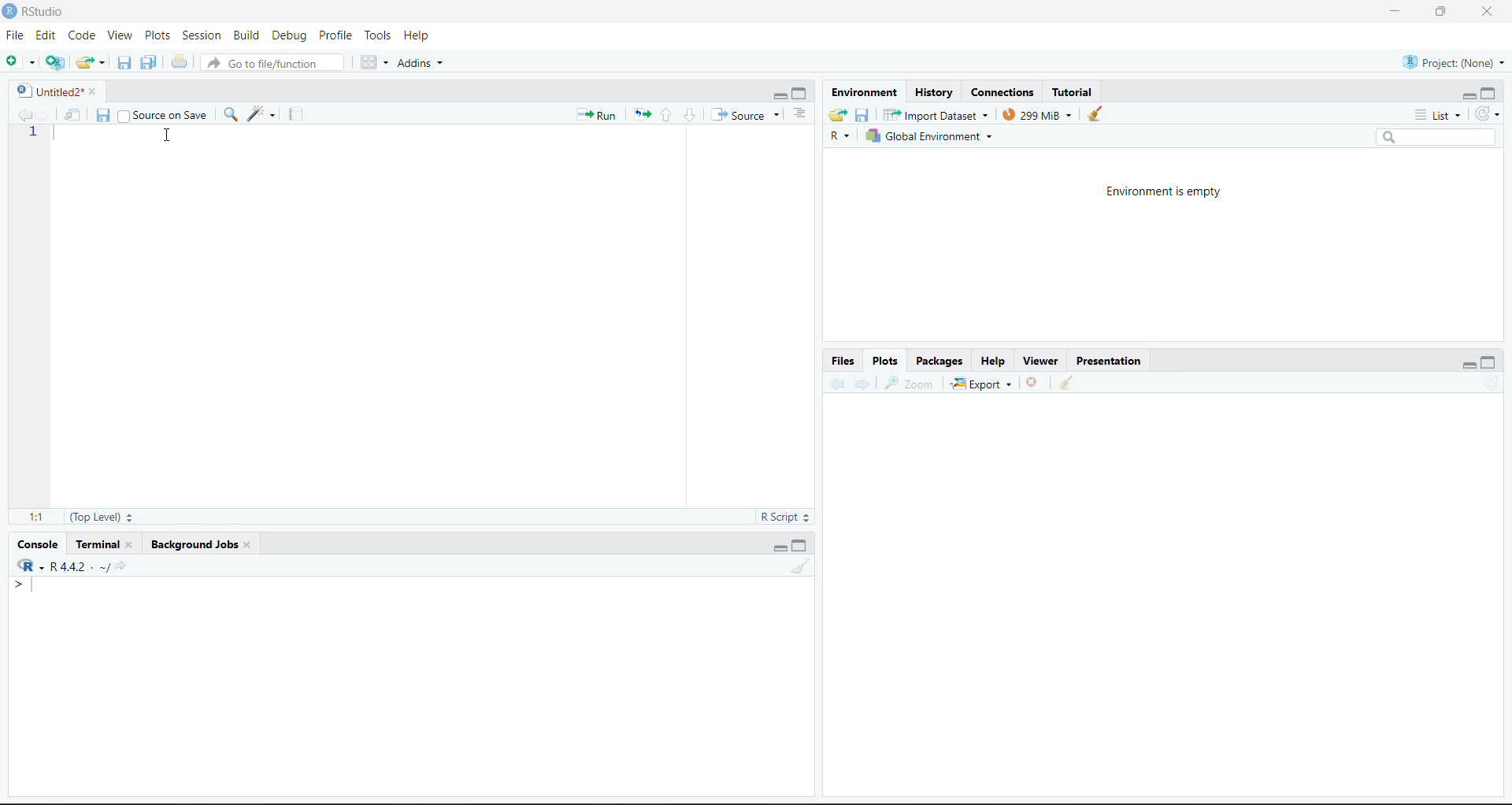  Describe the element at coordinates (162, 116) in the screenshot. I see `source on save` at that location.